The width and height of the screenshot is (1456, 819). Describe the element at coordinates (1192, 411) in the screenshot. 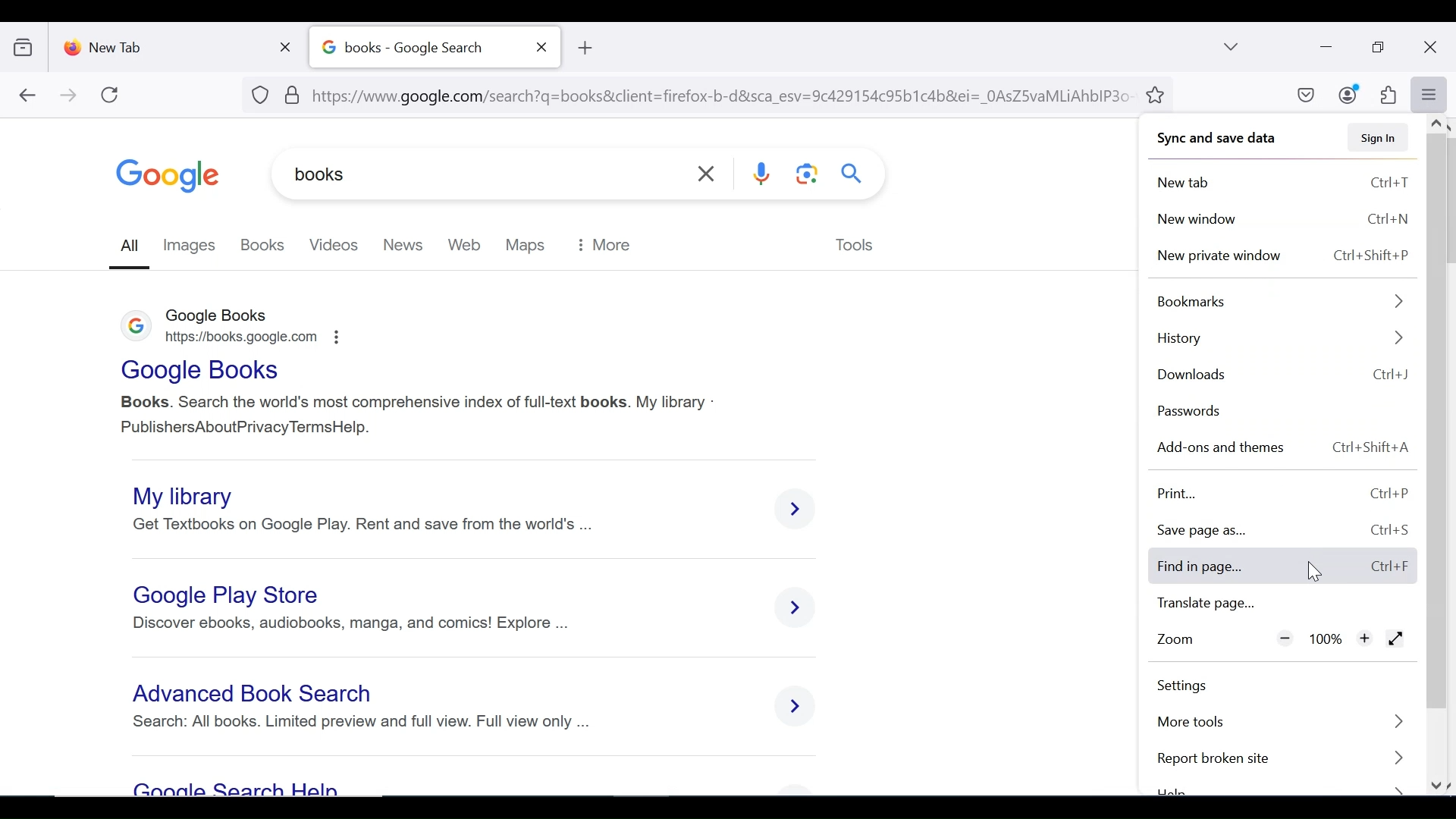

I see `passwords` at that location.